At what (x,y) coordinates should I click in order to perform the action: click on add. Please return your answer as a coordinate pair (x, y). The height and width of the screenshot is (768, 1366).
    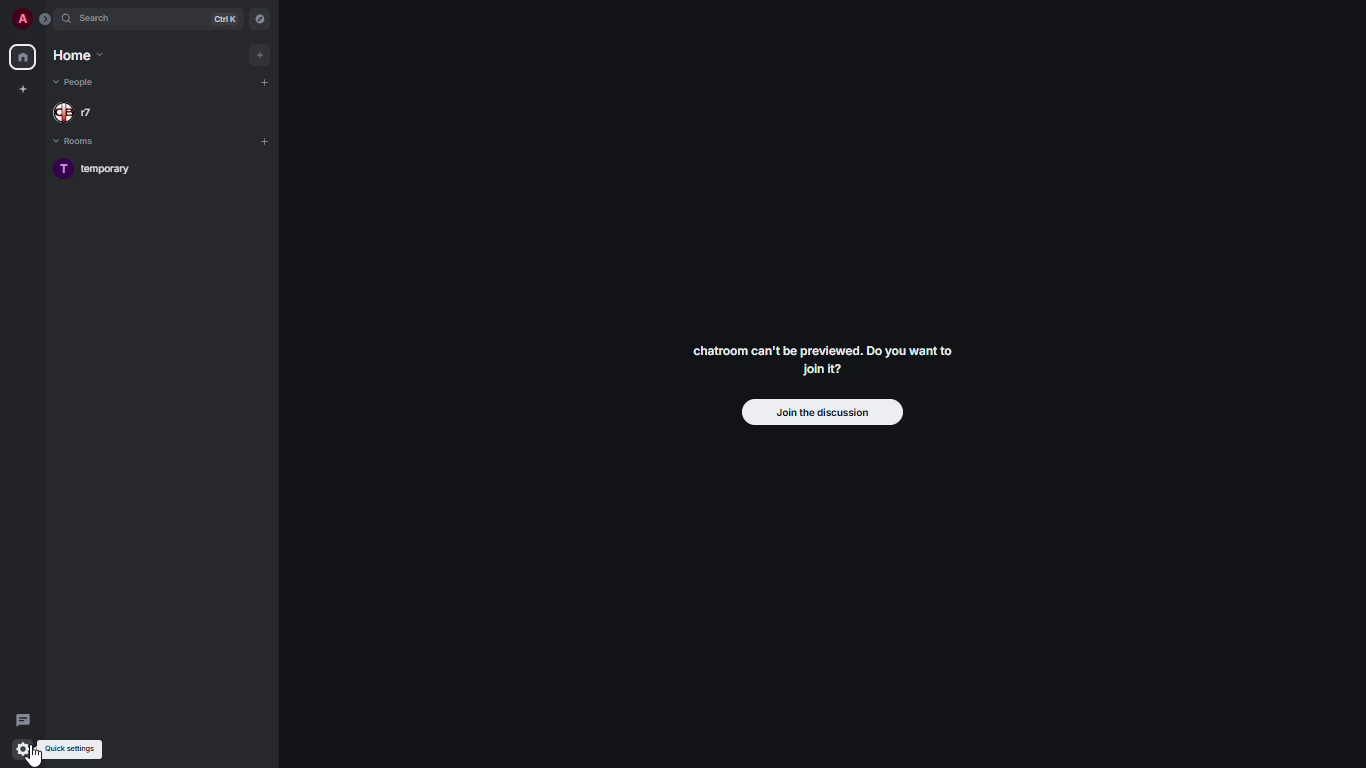
    Looking at the image, I should click on (261, 53).